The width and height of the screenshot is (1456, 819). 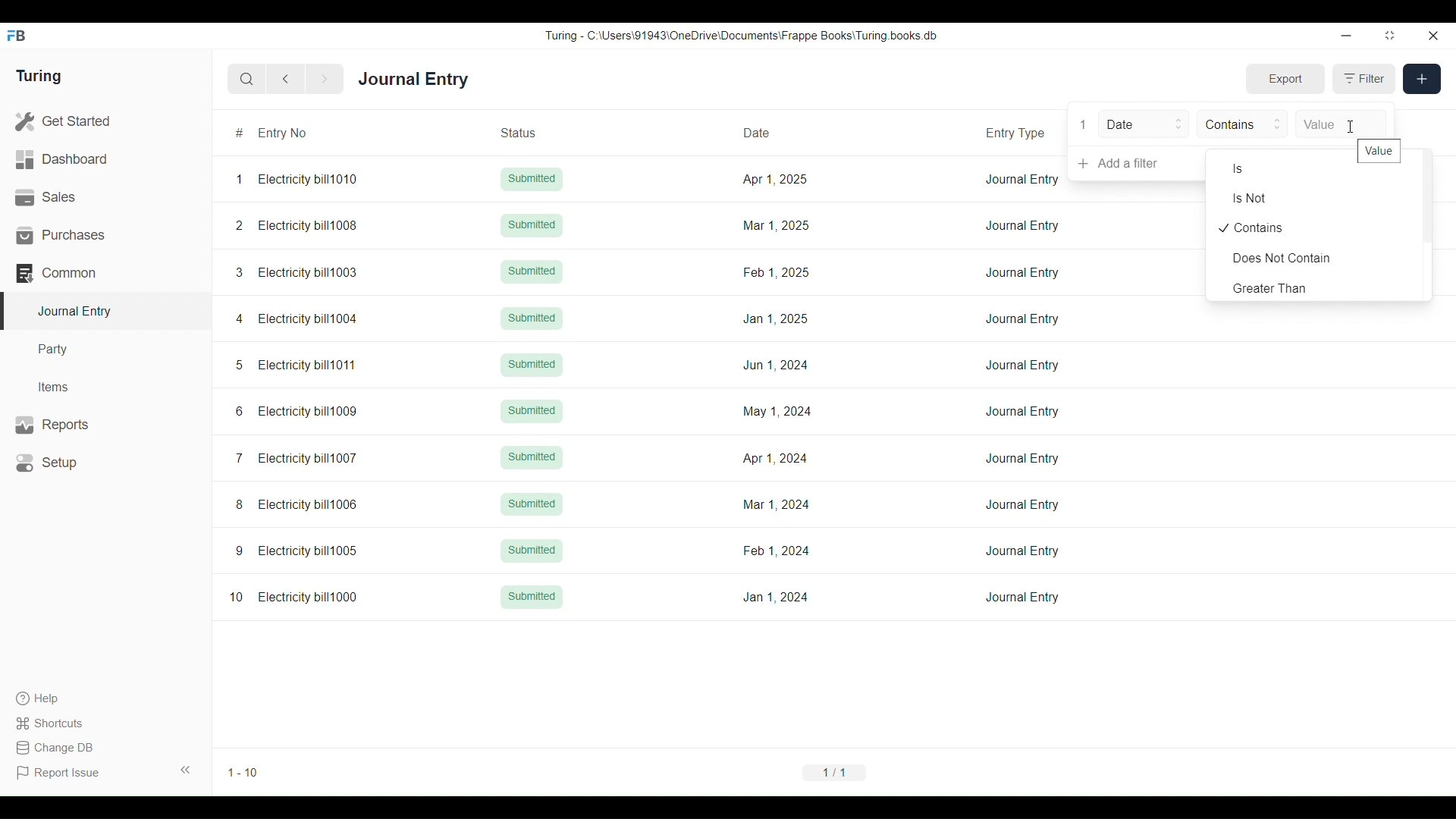 I want to click on Submitted, so click(x=532, y=550).